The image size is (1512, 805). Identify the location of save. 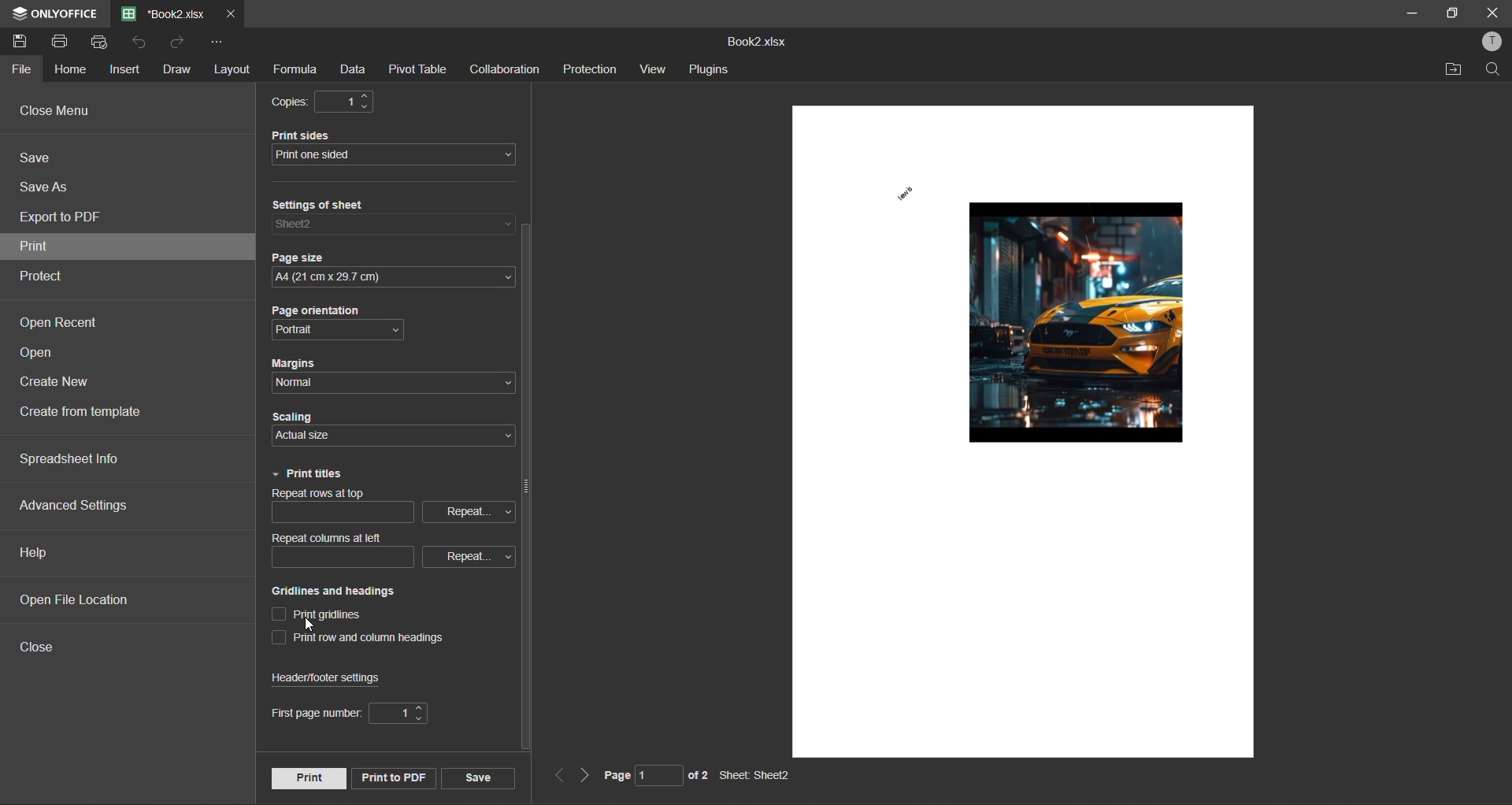
(477, 779).